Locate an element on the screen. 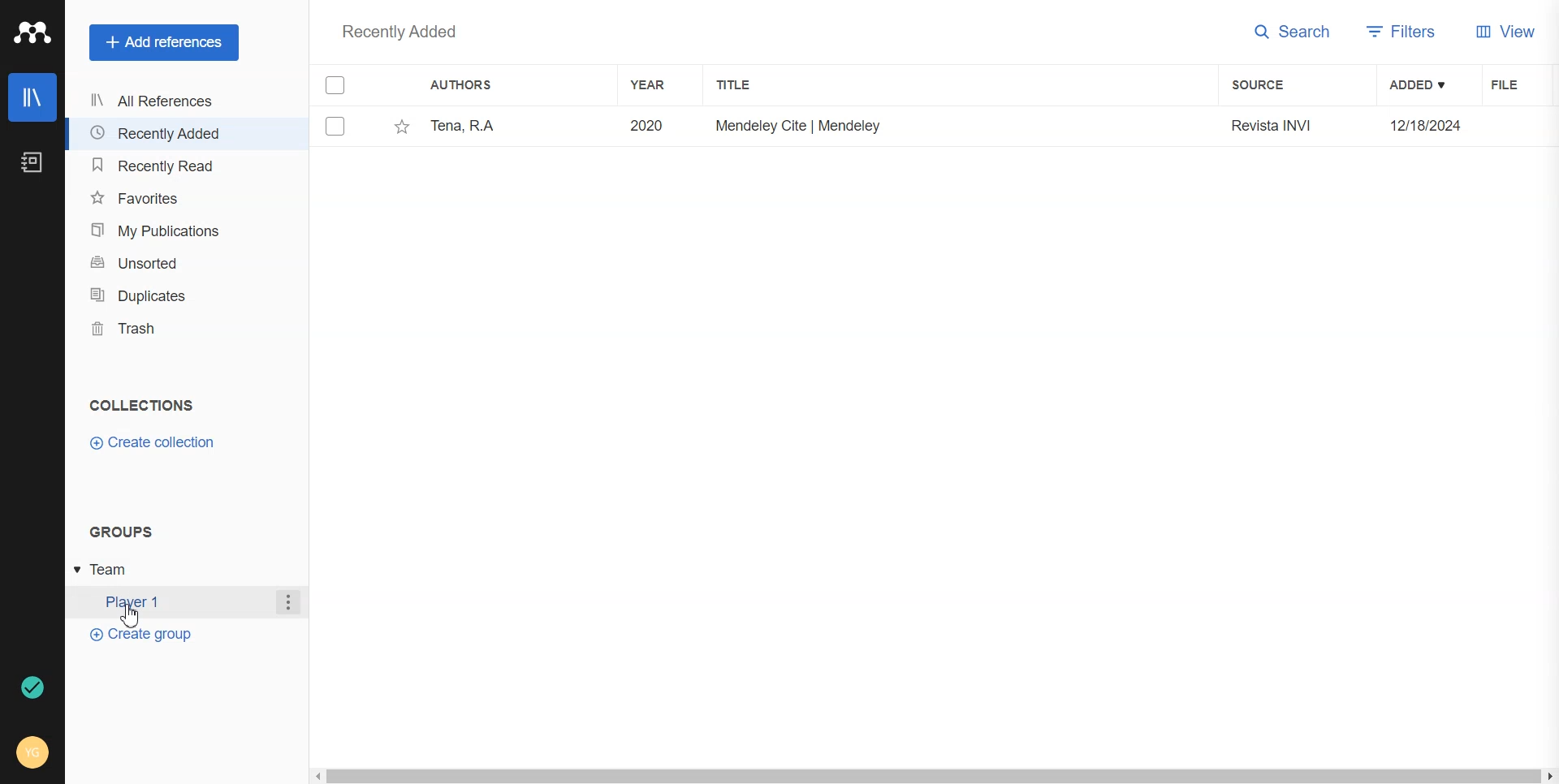 This screenshot has height=784, width=1559. View  is located at coordinates (1505, 32).